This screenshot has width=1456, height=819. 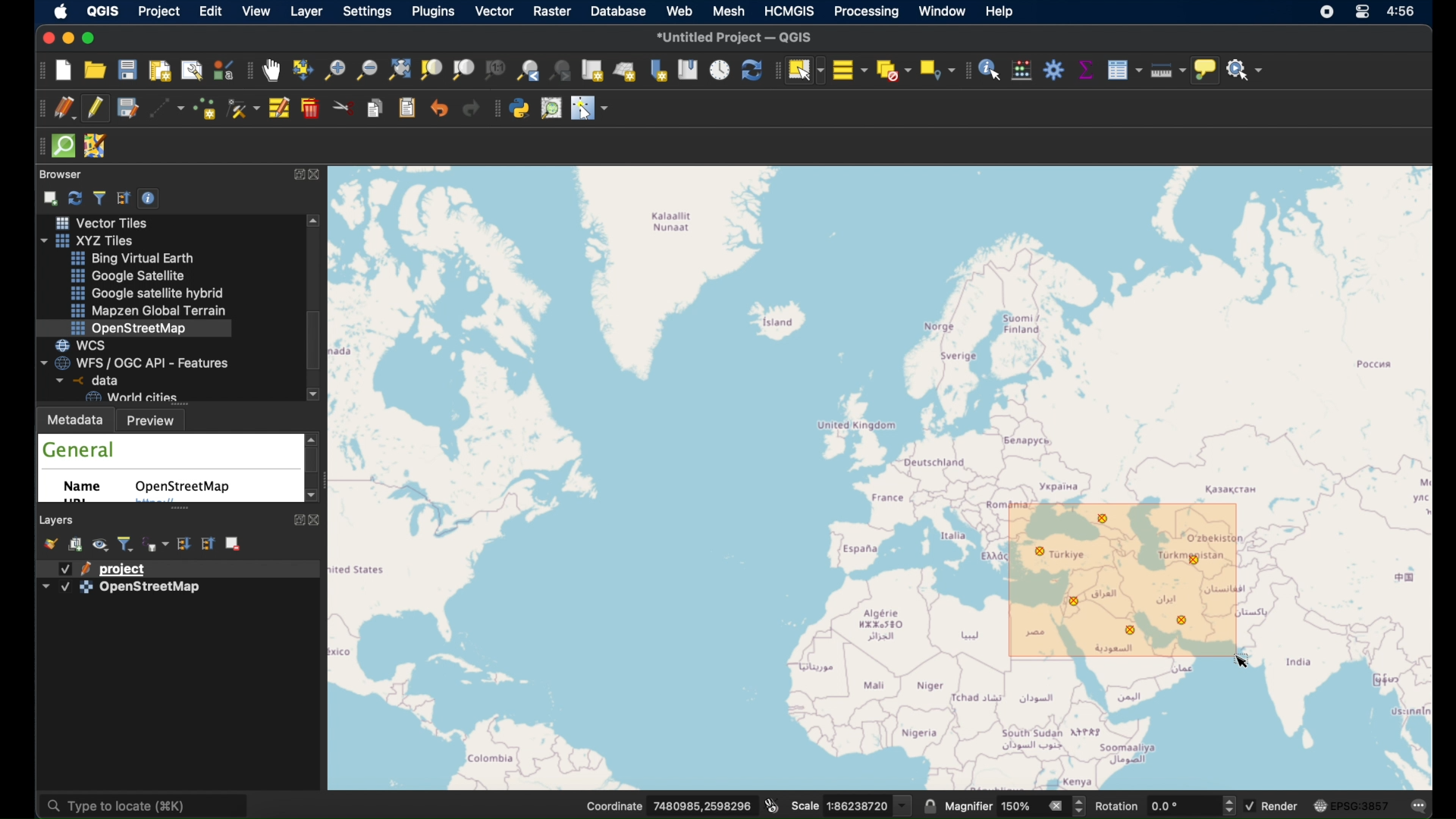 What do you see at coordinates (1282, 805) in the screenshot?
I see `render` at bounding box center [1282, 805].